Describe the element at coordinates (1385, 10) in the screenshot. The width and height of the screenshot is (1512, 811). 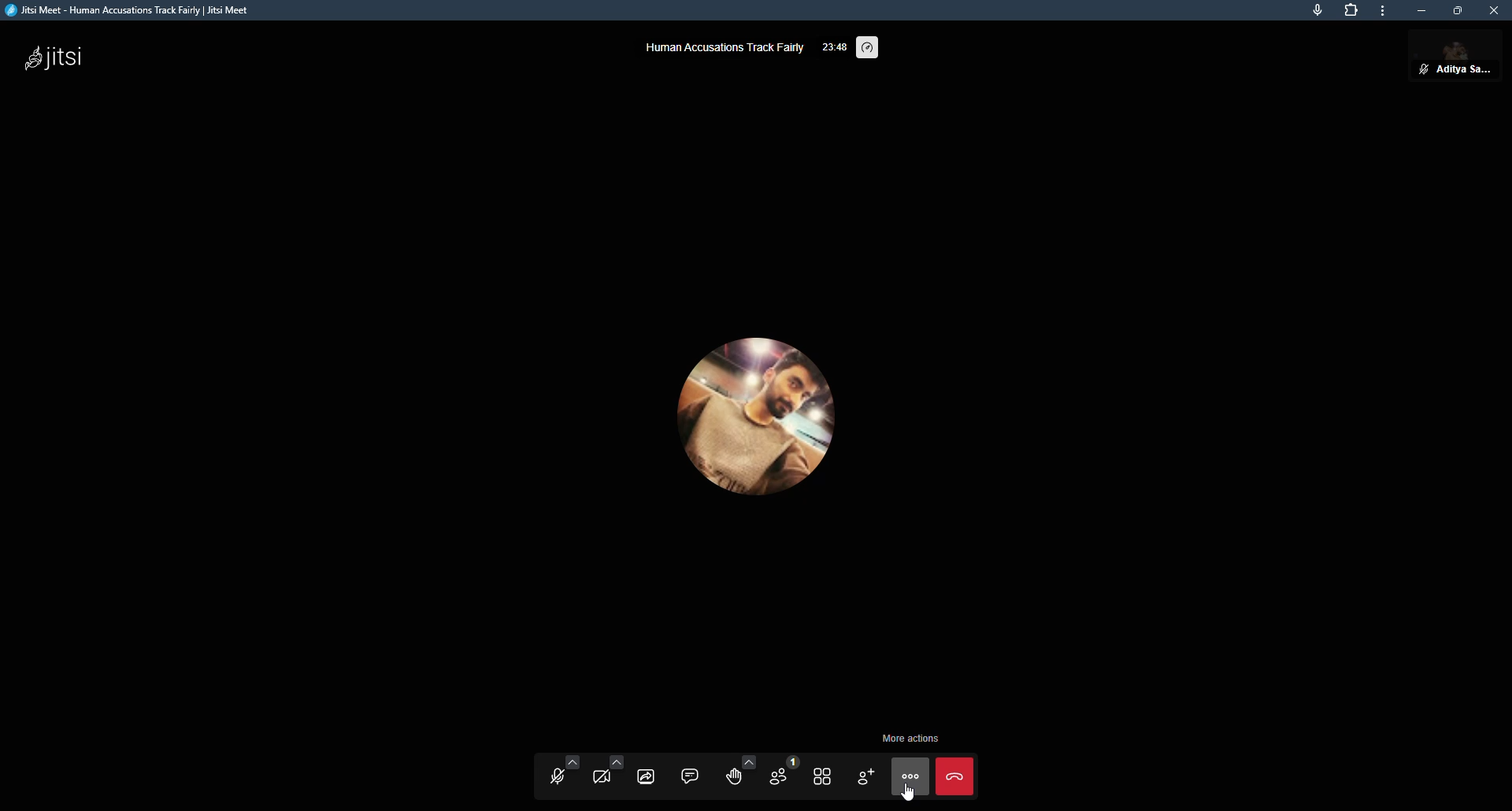
I see `more` at that location.